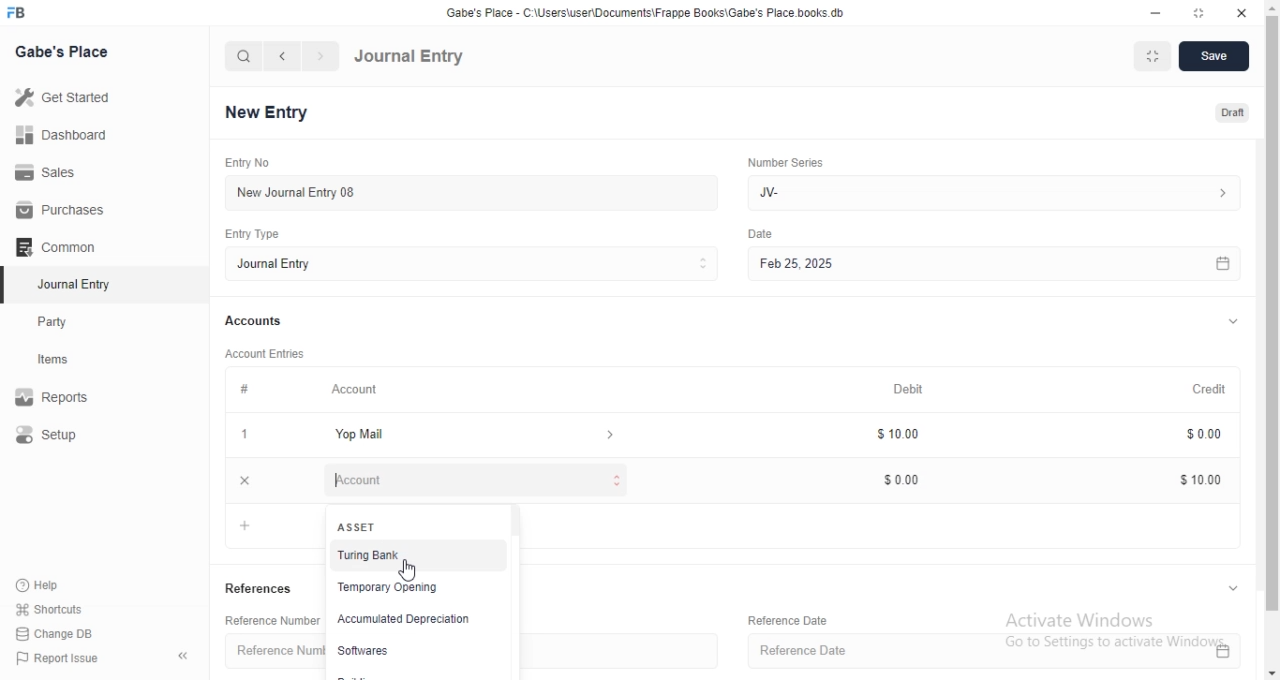  Describe the element at coordinates (911, 435) in the screenshot. I see `$10.00` at that location.